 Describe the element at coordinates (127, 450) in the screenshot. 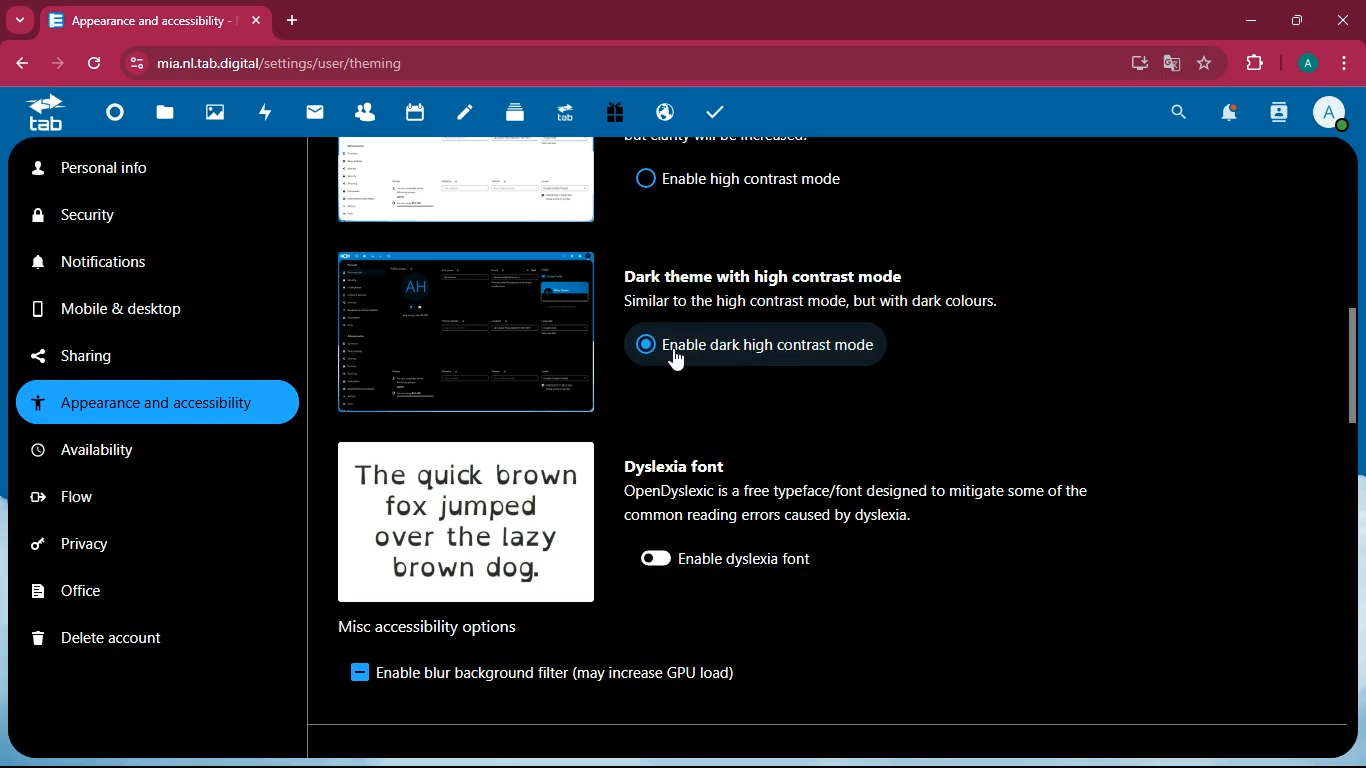

I see `availability` at that location.